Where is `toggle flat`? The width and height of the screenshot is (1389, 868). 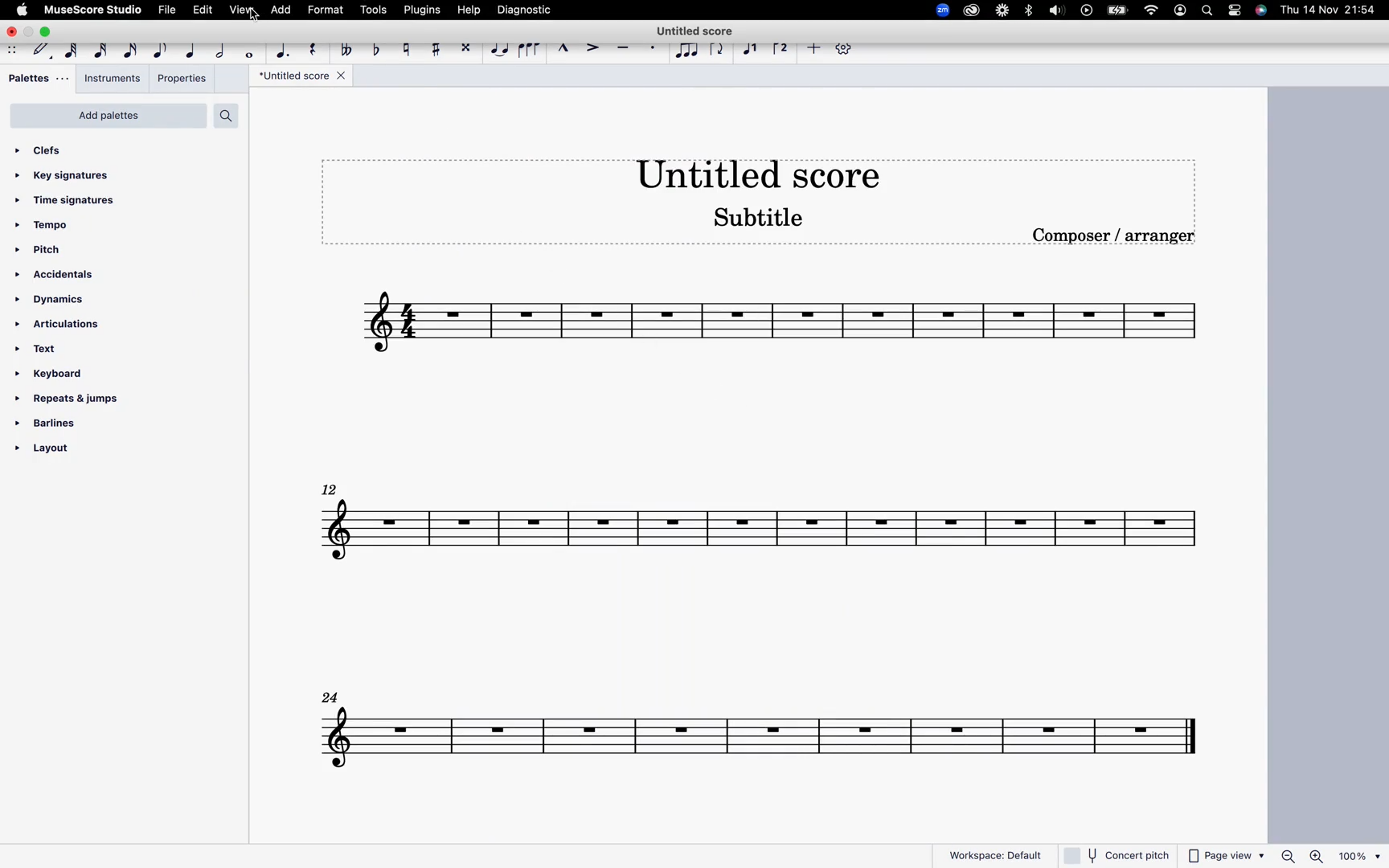
toggle flat is located at coordinates (372, 51).